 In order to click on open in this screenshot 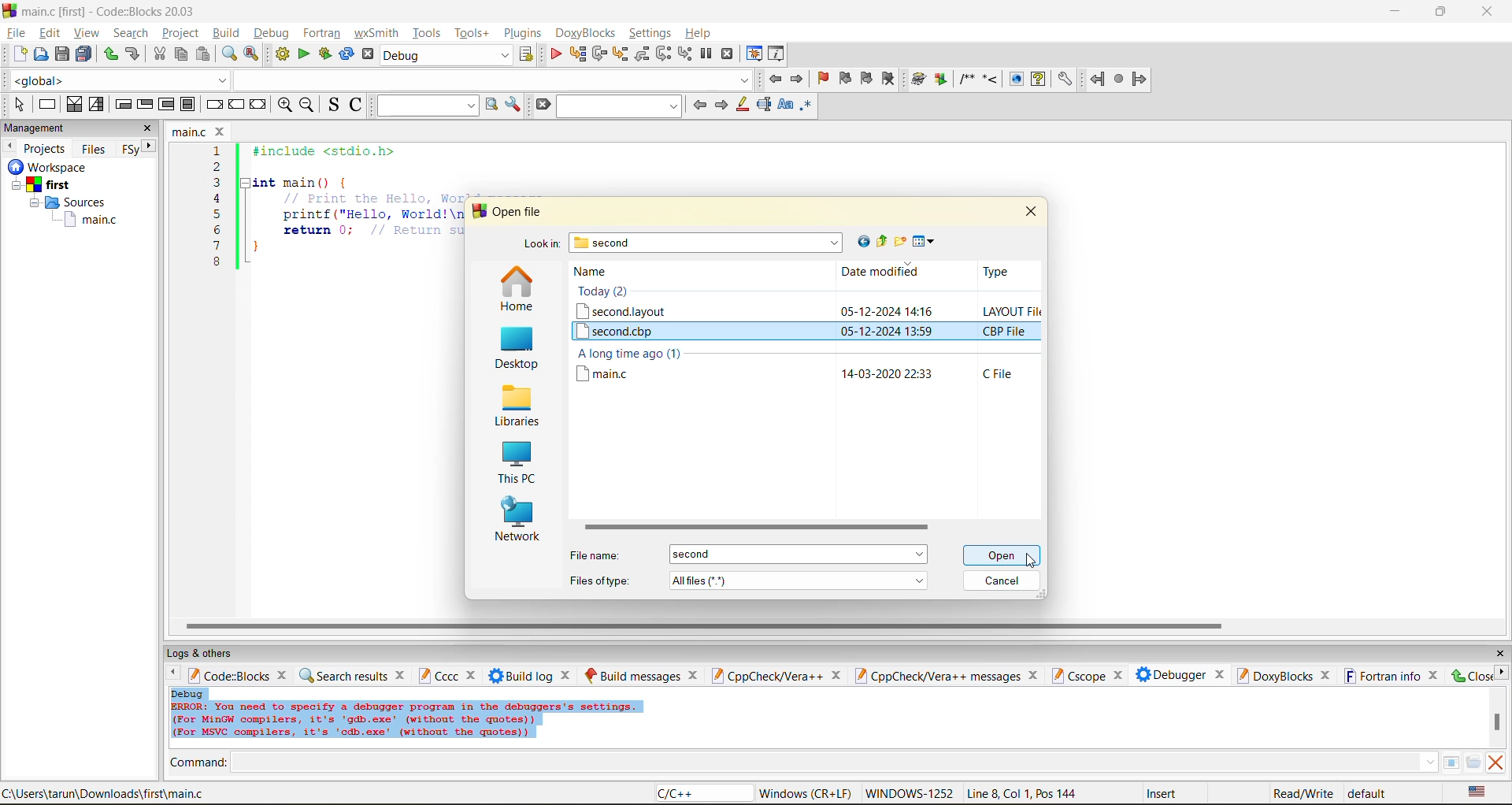, I will do `click(42, 54)`.